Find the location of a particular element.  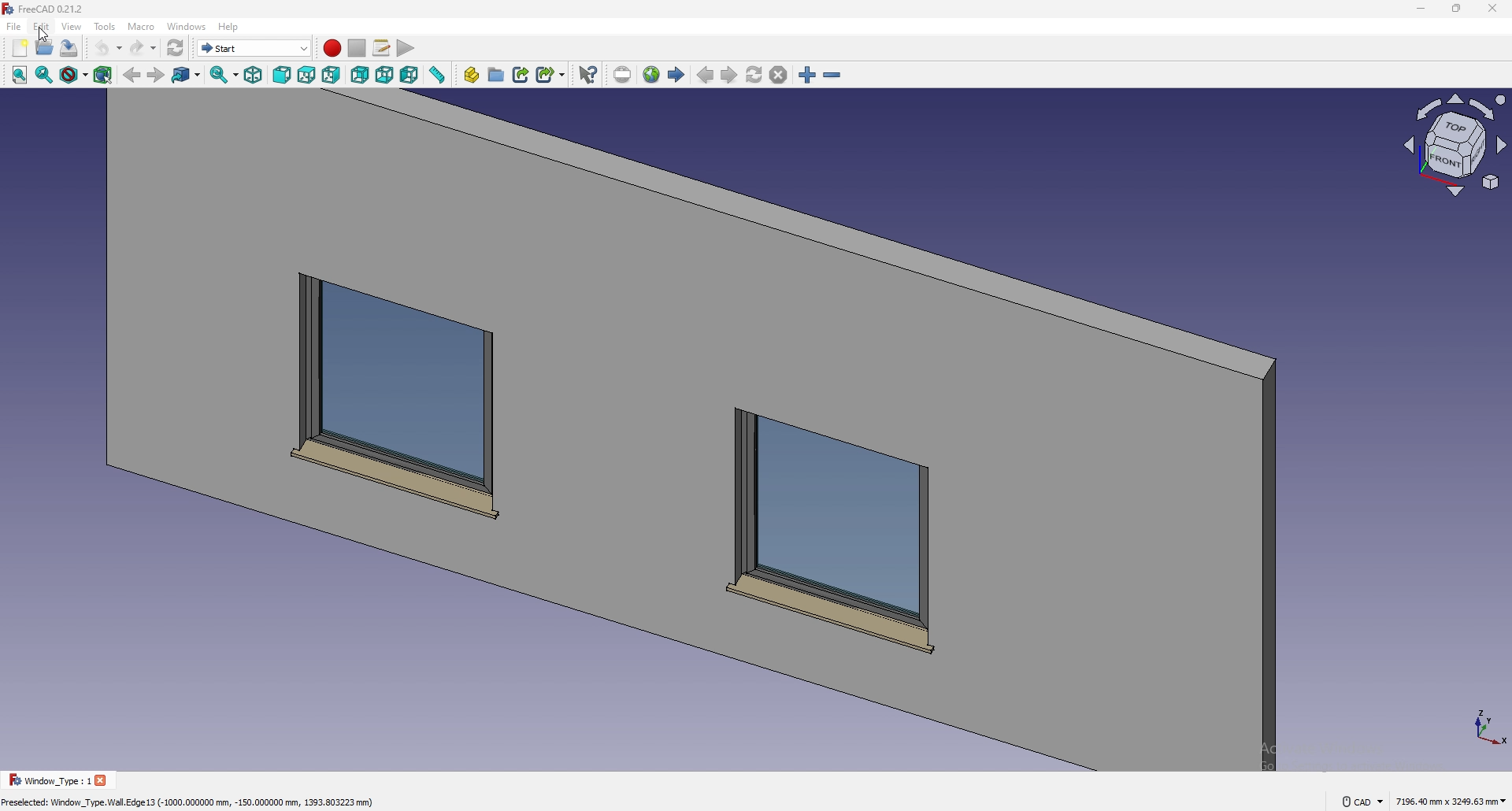

forward is located at coordinates (155, 76).